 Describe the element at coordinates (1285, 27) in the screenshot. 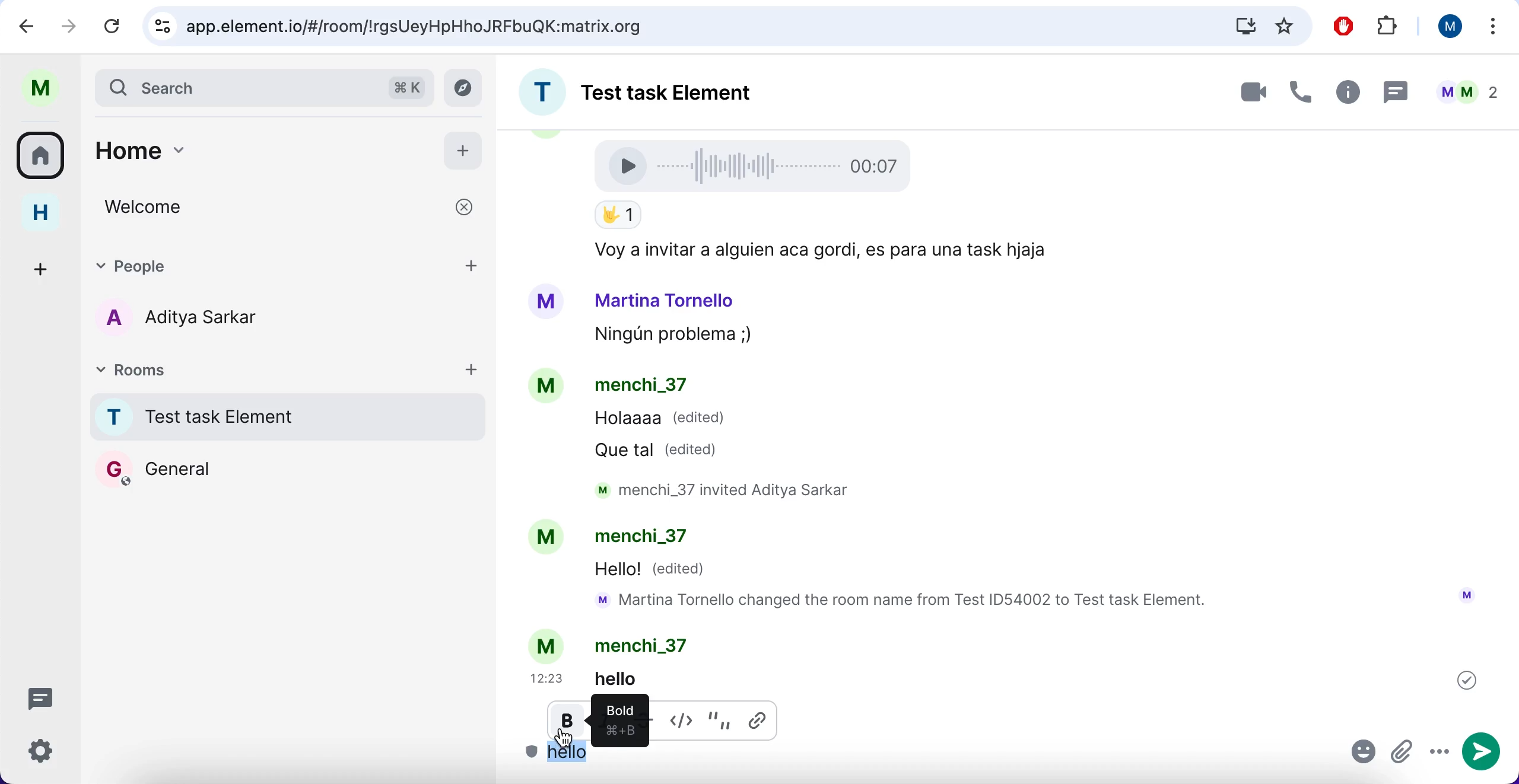

I see `favorites` at that location.